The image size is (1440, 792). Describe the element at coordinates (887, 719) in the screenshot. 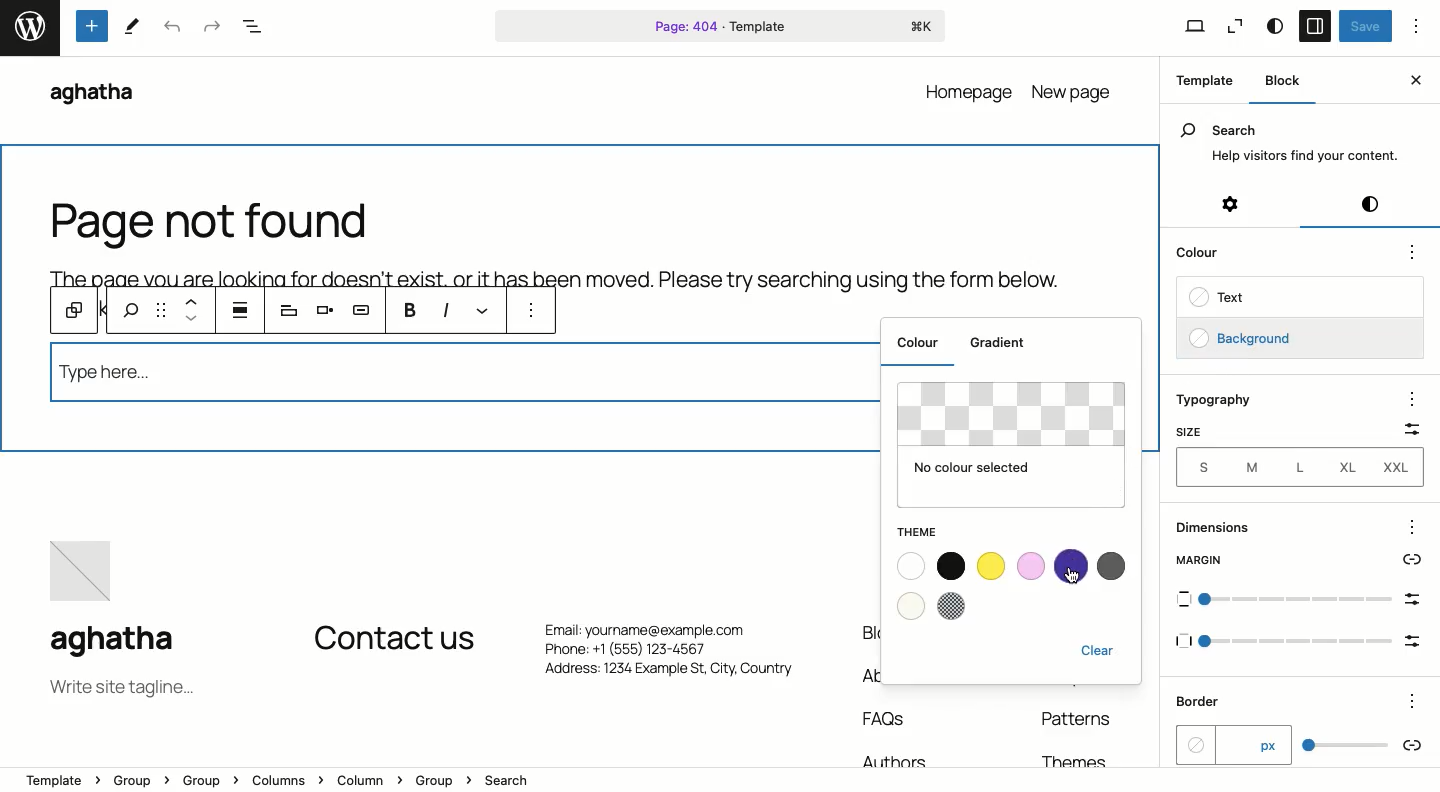

I see `FAQs` at that location.